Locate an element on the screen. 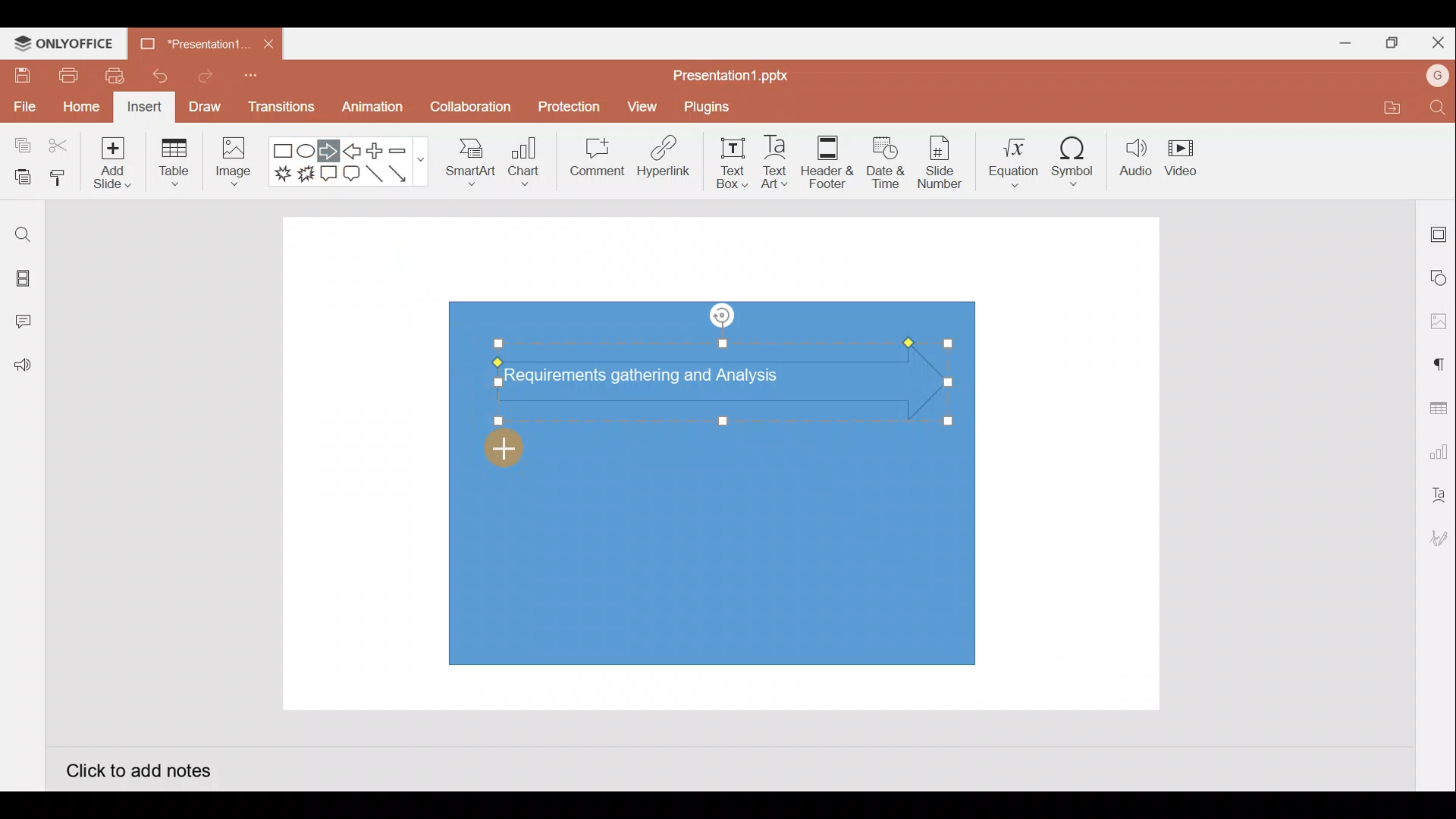  Protection is located at coordinates (565, 107).